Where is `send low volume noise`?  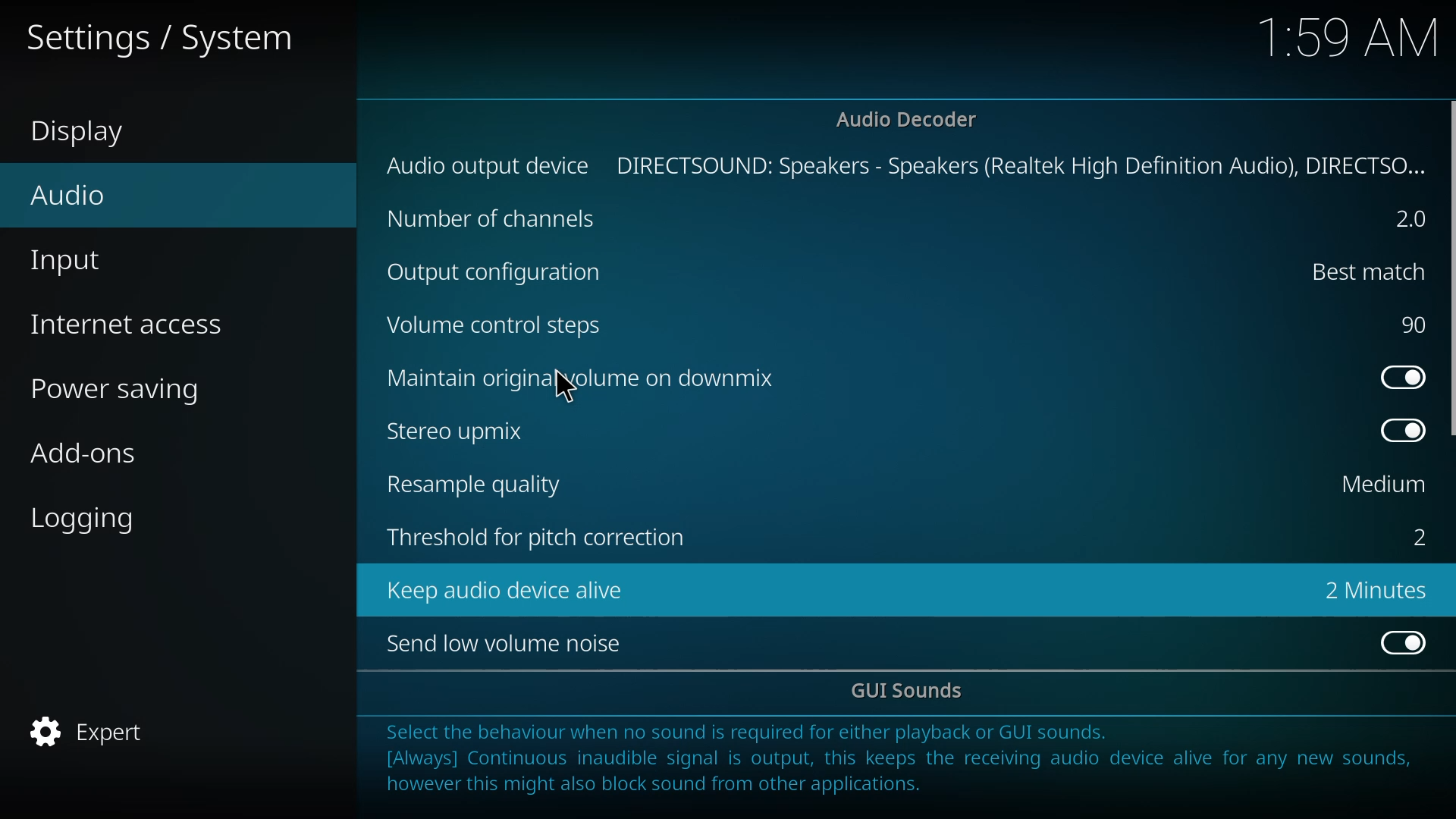 send low volume noise is located at coordinates (510, 644).